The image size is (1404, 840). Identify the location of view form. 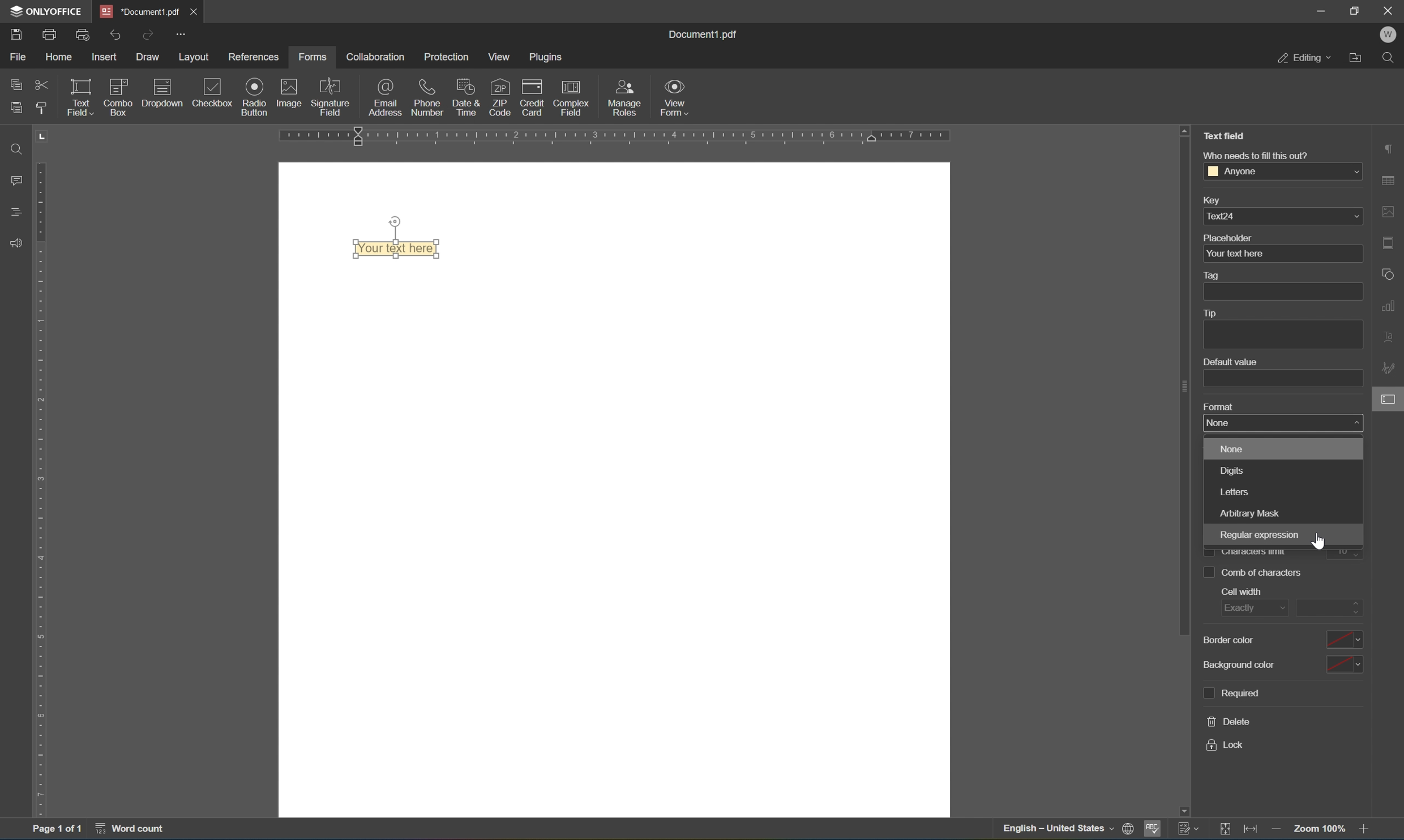
(675, 97).